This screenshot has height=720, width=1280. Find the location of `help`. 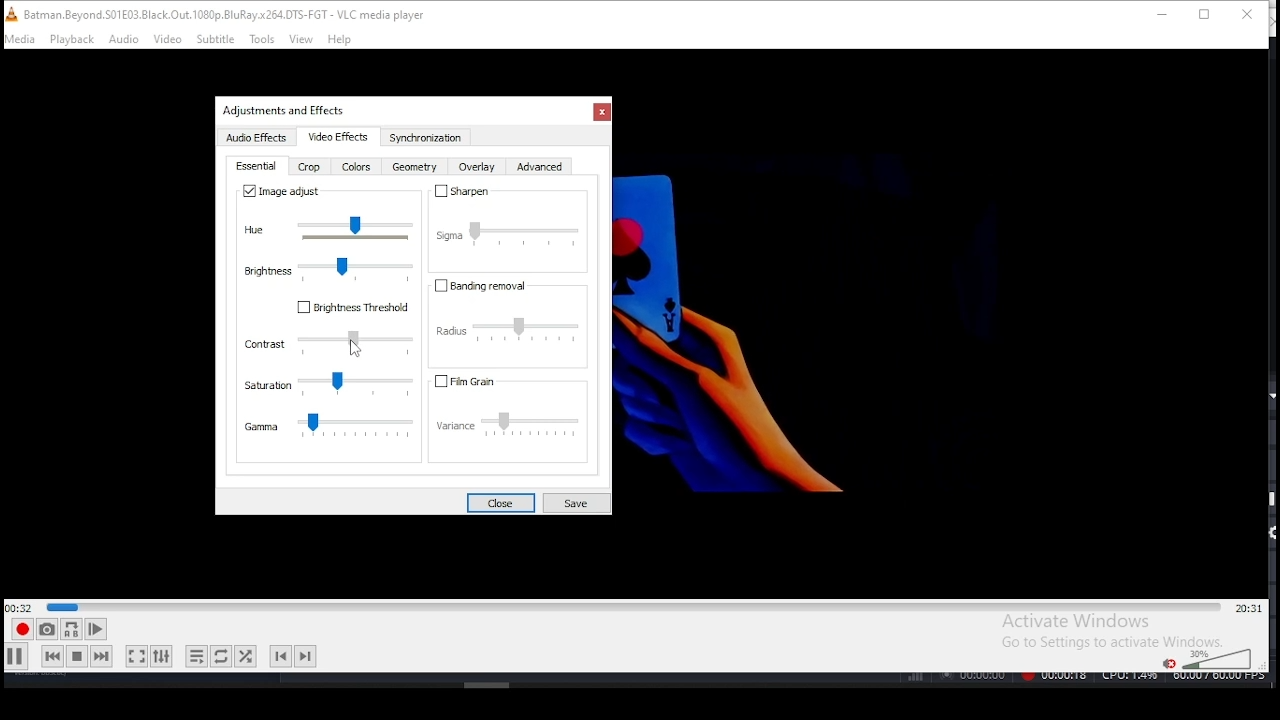

help is located at coordinates (339, 39).